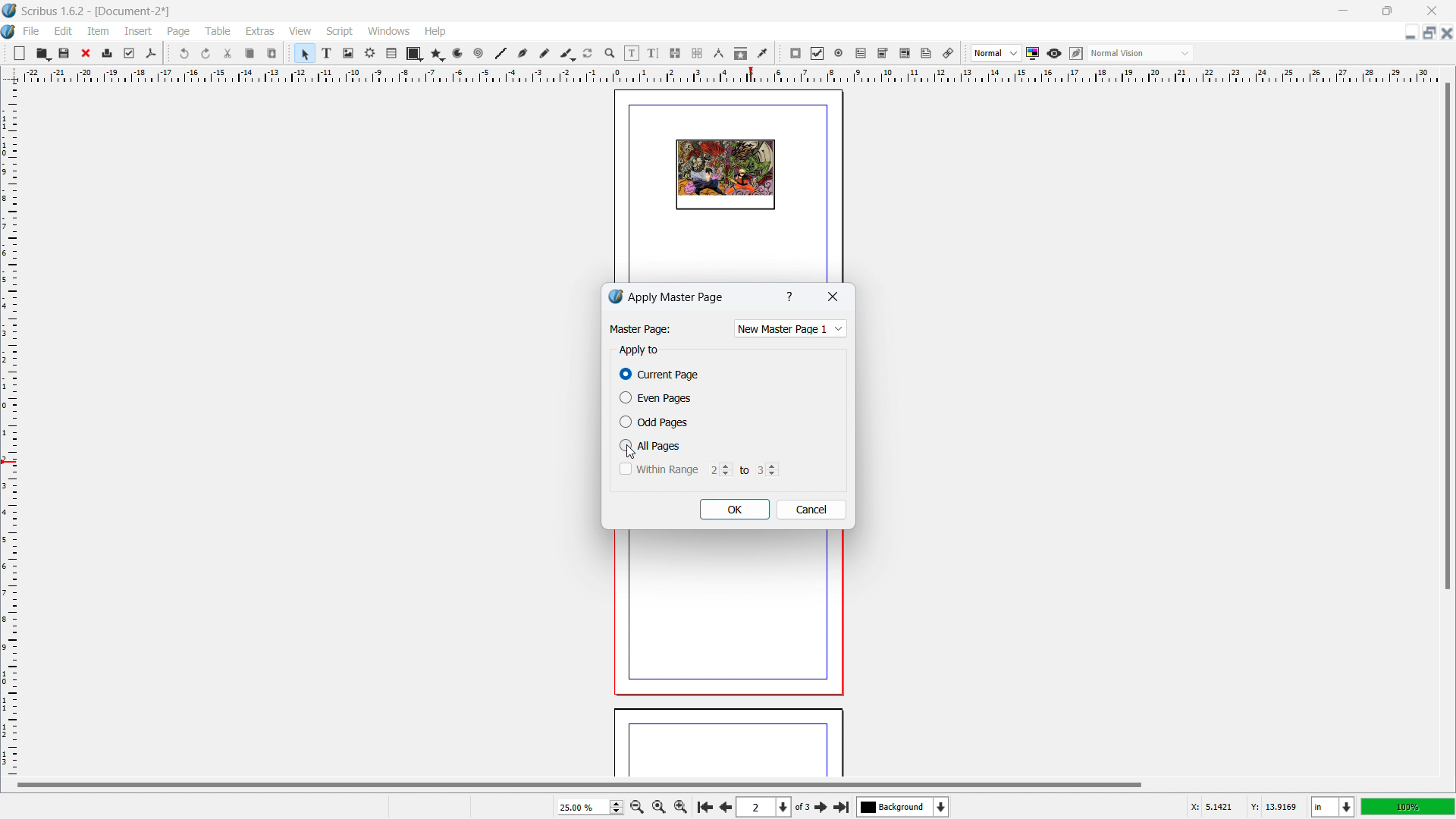 Image resolution: width=1456 pixels, height=819 pixels. I want to click on current page checkbox, so click(661, 375).